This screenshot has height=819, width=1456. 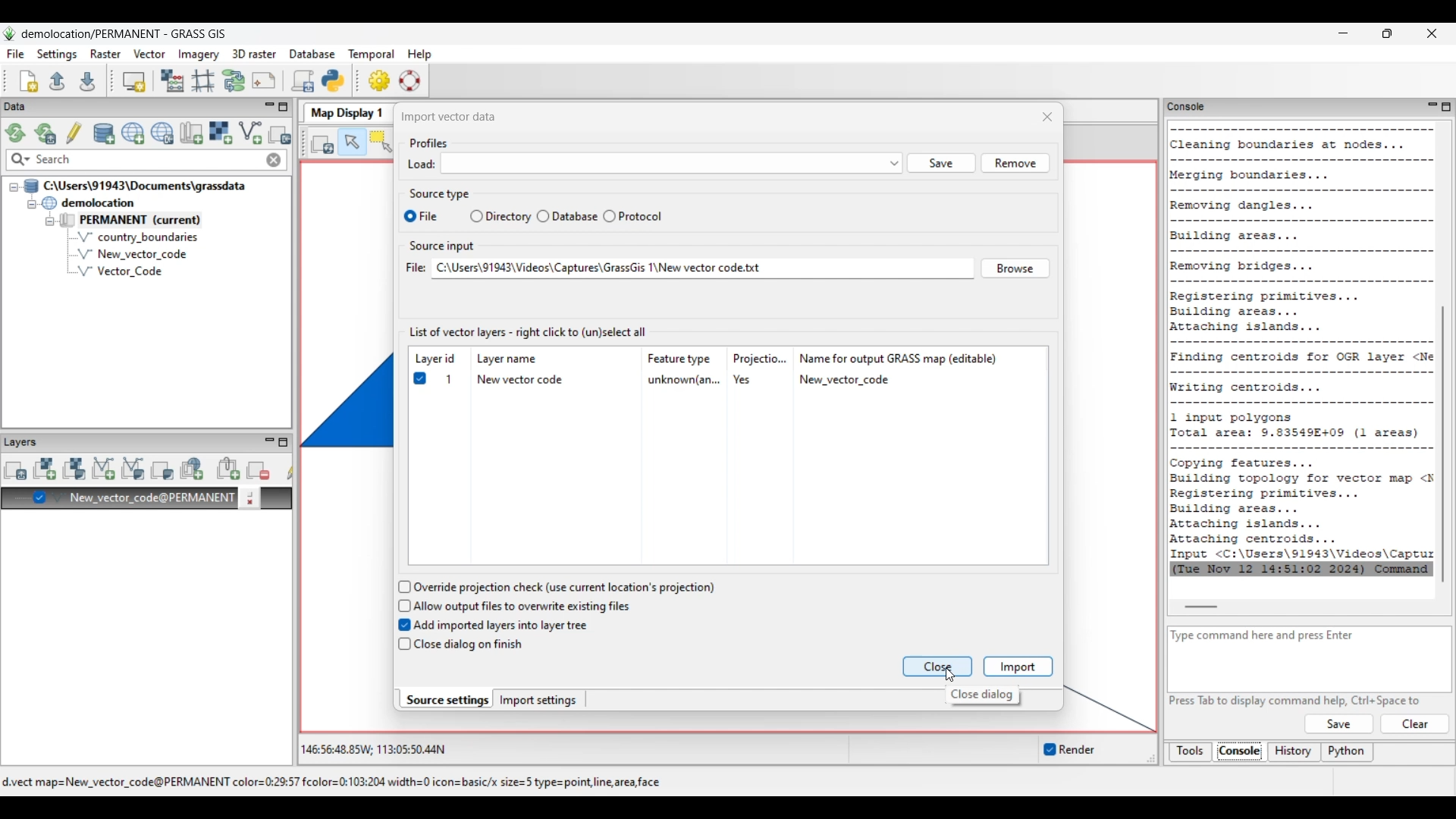 What do you see at coordinates (131, 254) in the screenshot?
I see `New file added` at bounding box center [131, 254].